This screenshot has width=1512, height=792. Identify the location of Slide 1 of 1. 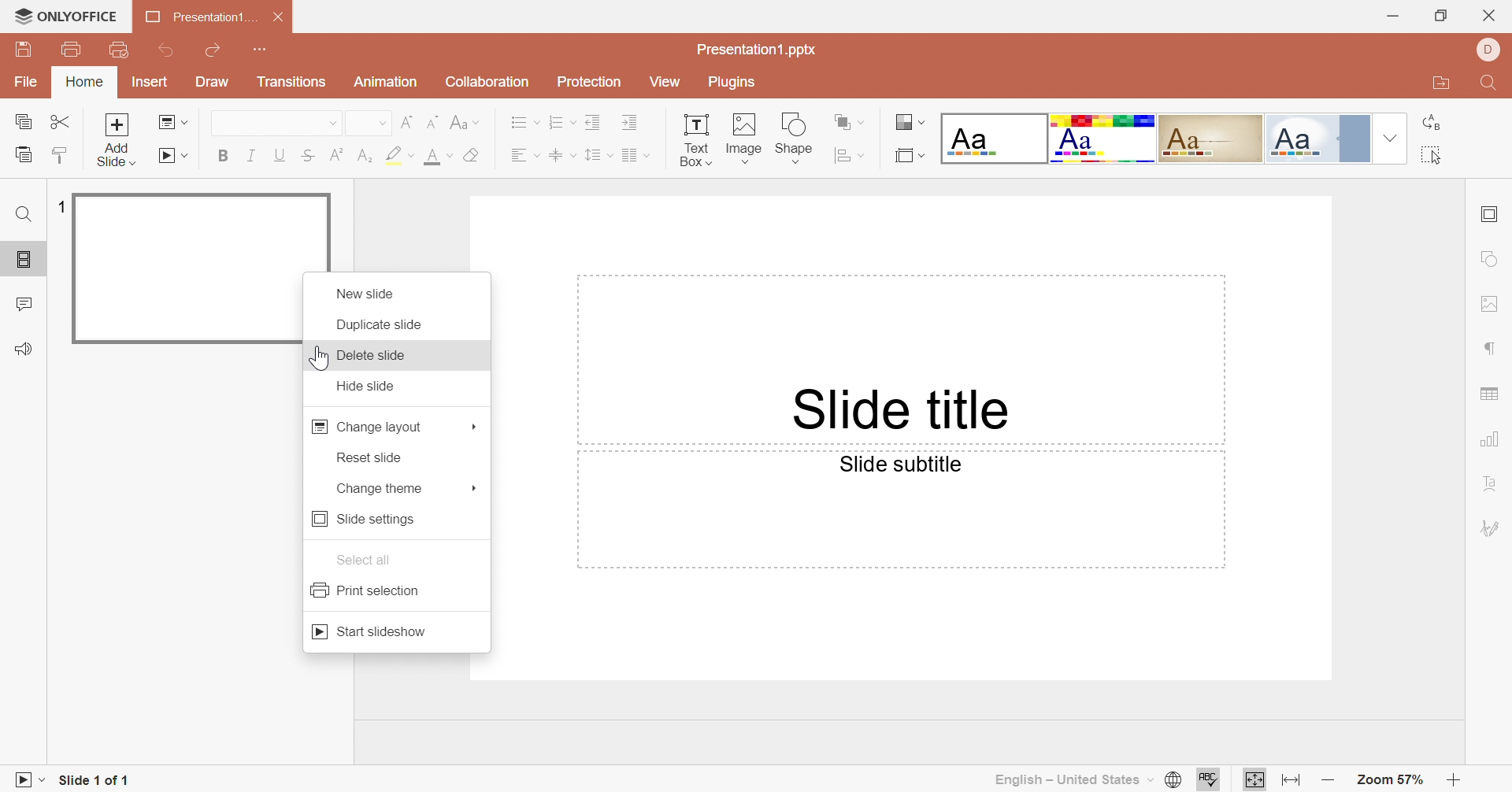
(98, 779).